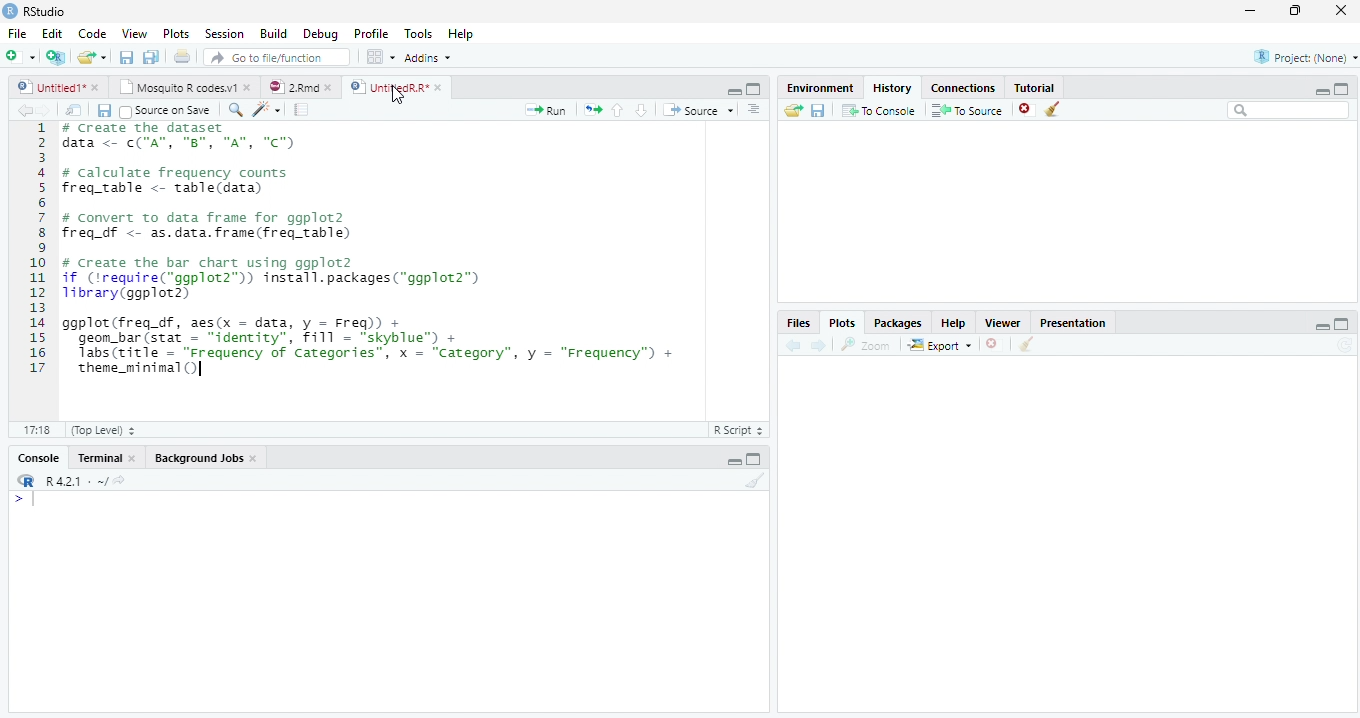 This screenshot has width=1360, height=718. Describe the element at coordinates (430, 58) in the screenshot. I see `Addins` at that location.